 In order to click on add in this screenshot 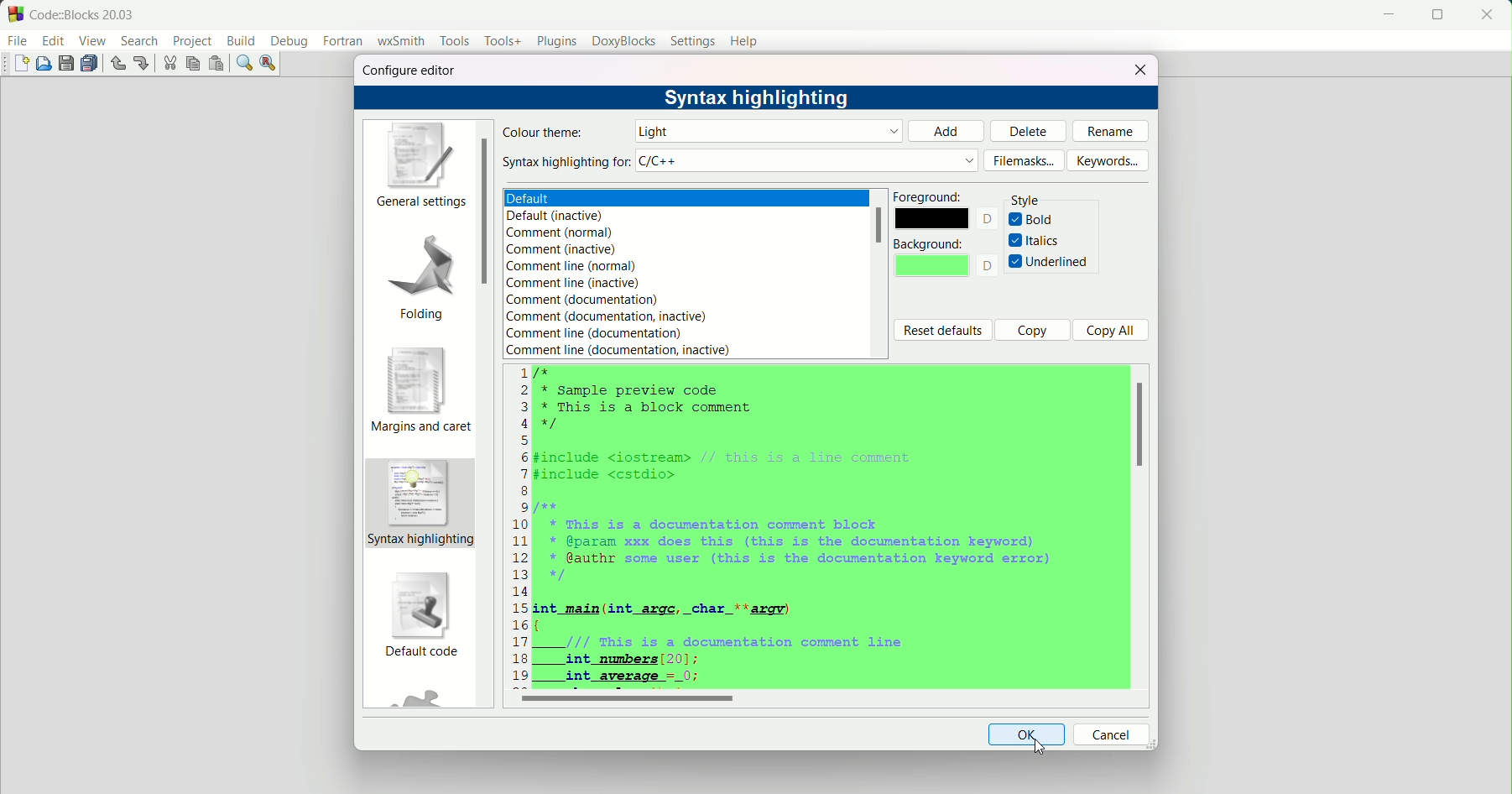, I will do `click(949, 132)`.